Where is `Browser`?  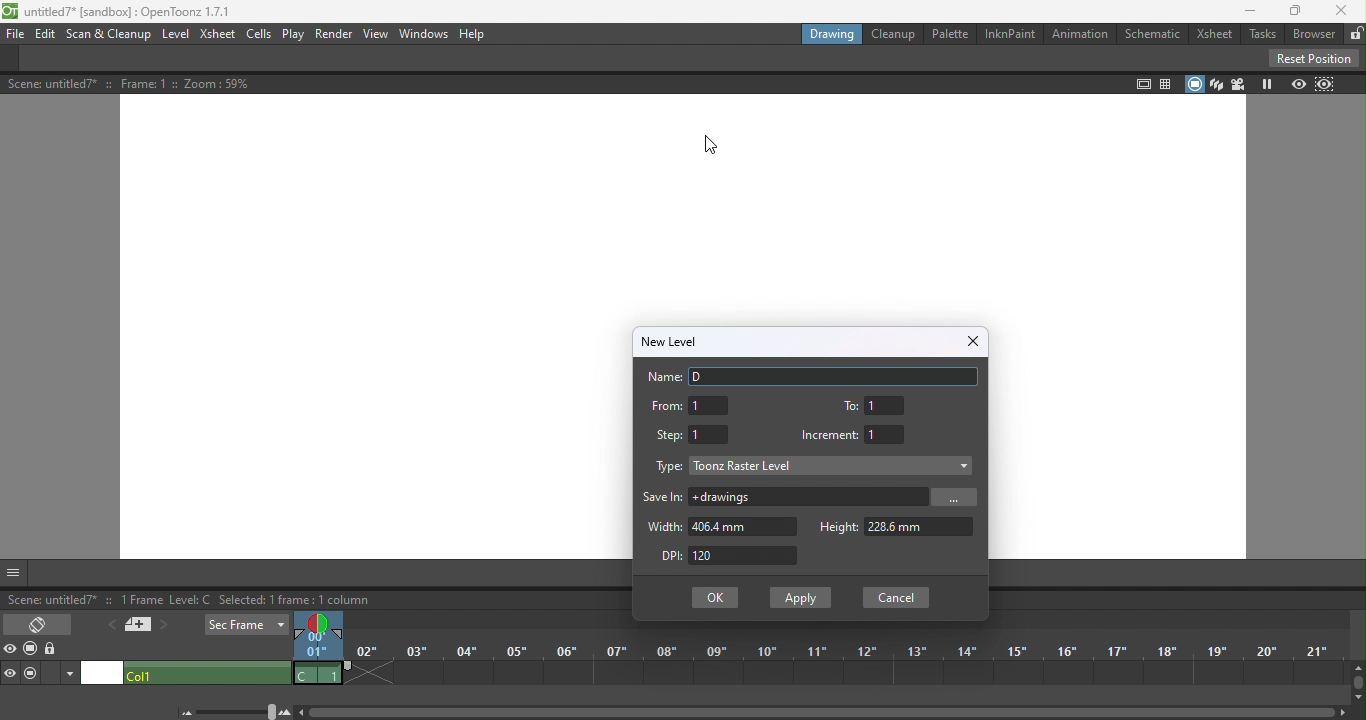 Browser is located at coordinates (1311, 35).